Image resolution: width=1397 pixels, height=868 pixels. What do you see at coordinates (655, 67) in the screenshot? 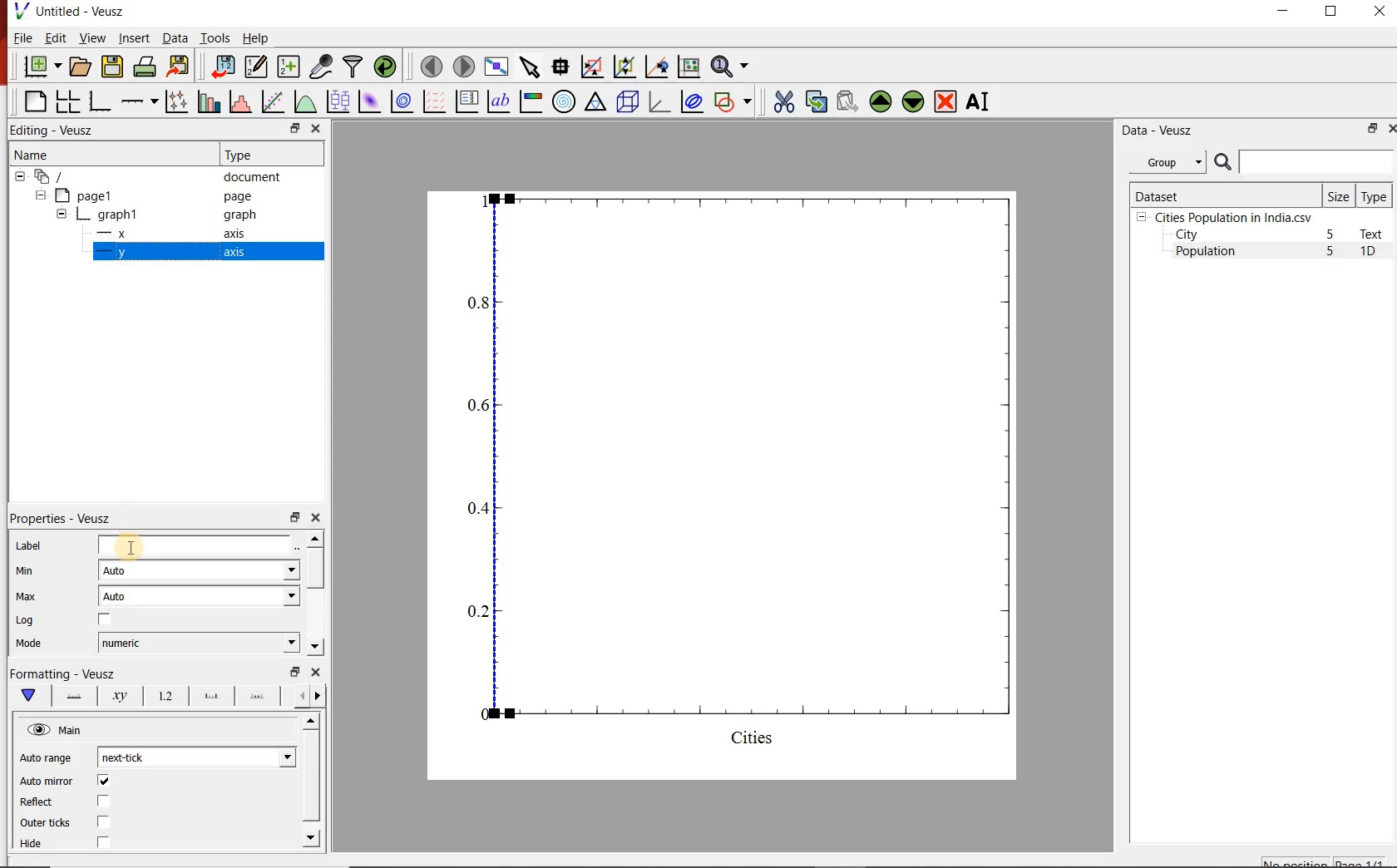
I see `click to recenter graph axes` at bounding box center [655, 67].